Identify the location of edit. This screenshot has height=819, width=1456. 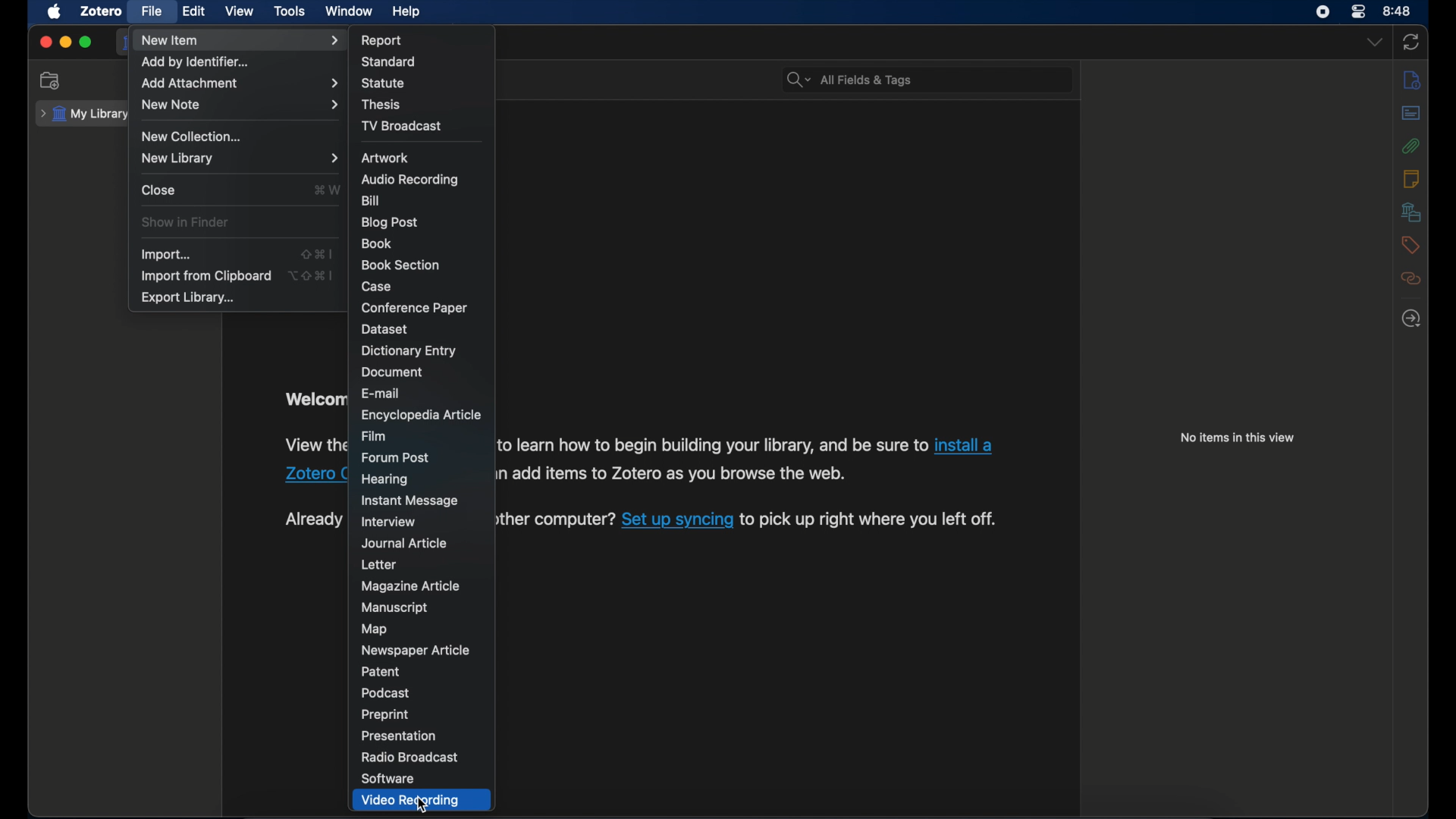
(193, 11).